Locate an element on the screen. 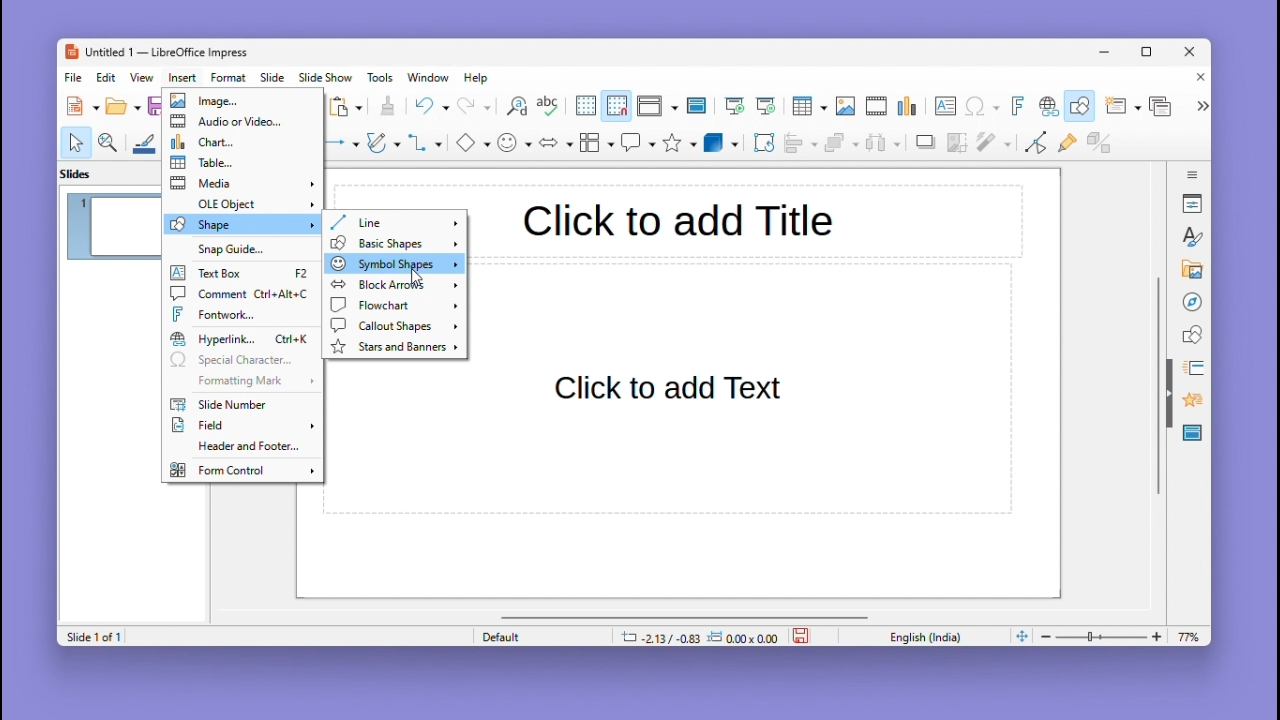 This screenshot has width=1280, height=720. Shadow is located at coordinates (926, 146).